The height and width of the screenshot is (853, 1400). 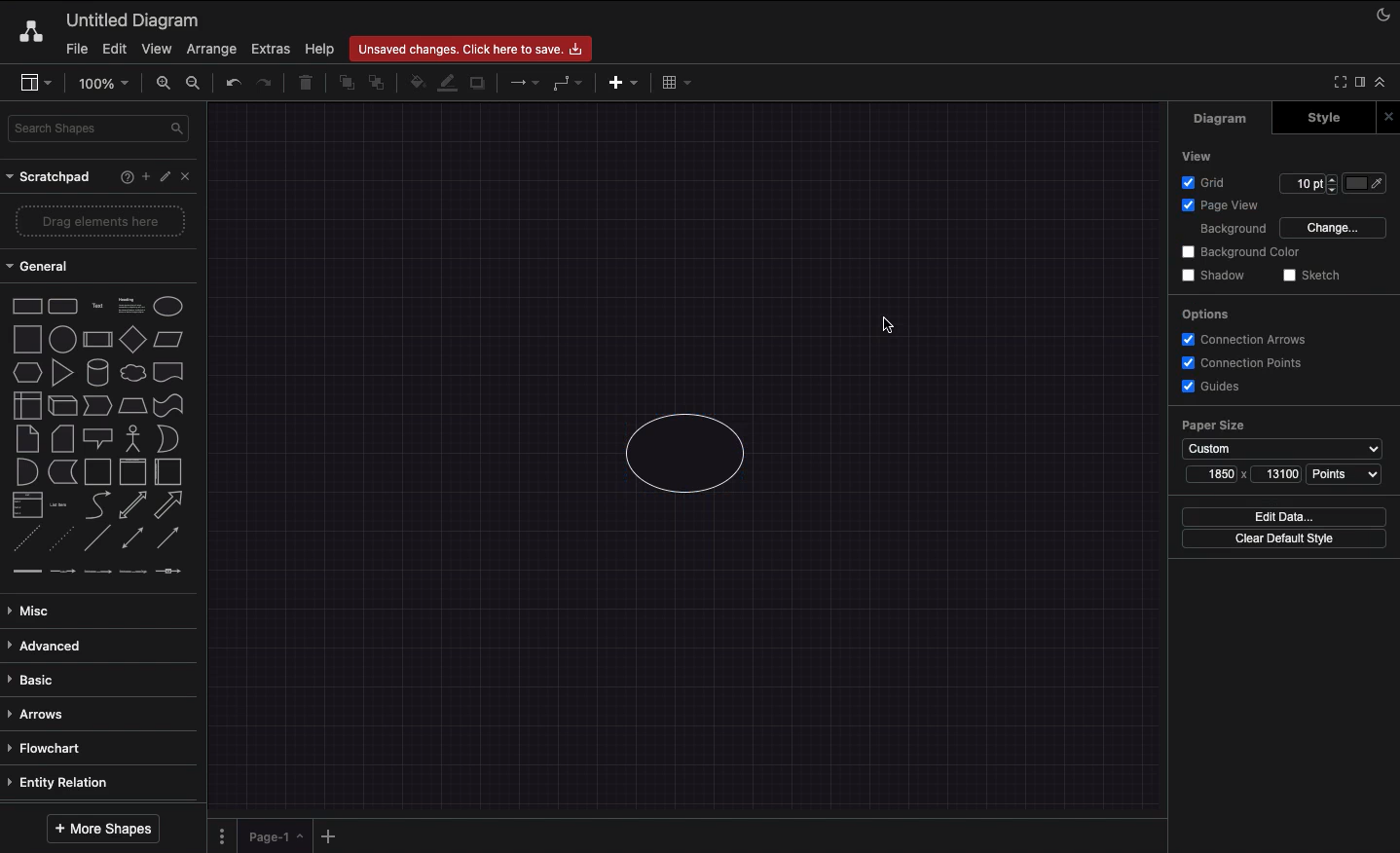 I want to click on Hexagon, so click(x=26, y=373).